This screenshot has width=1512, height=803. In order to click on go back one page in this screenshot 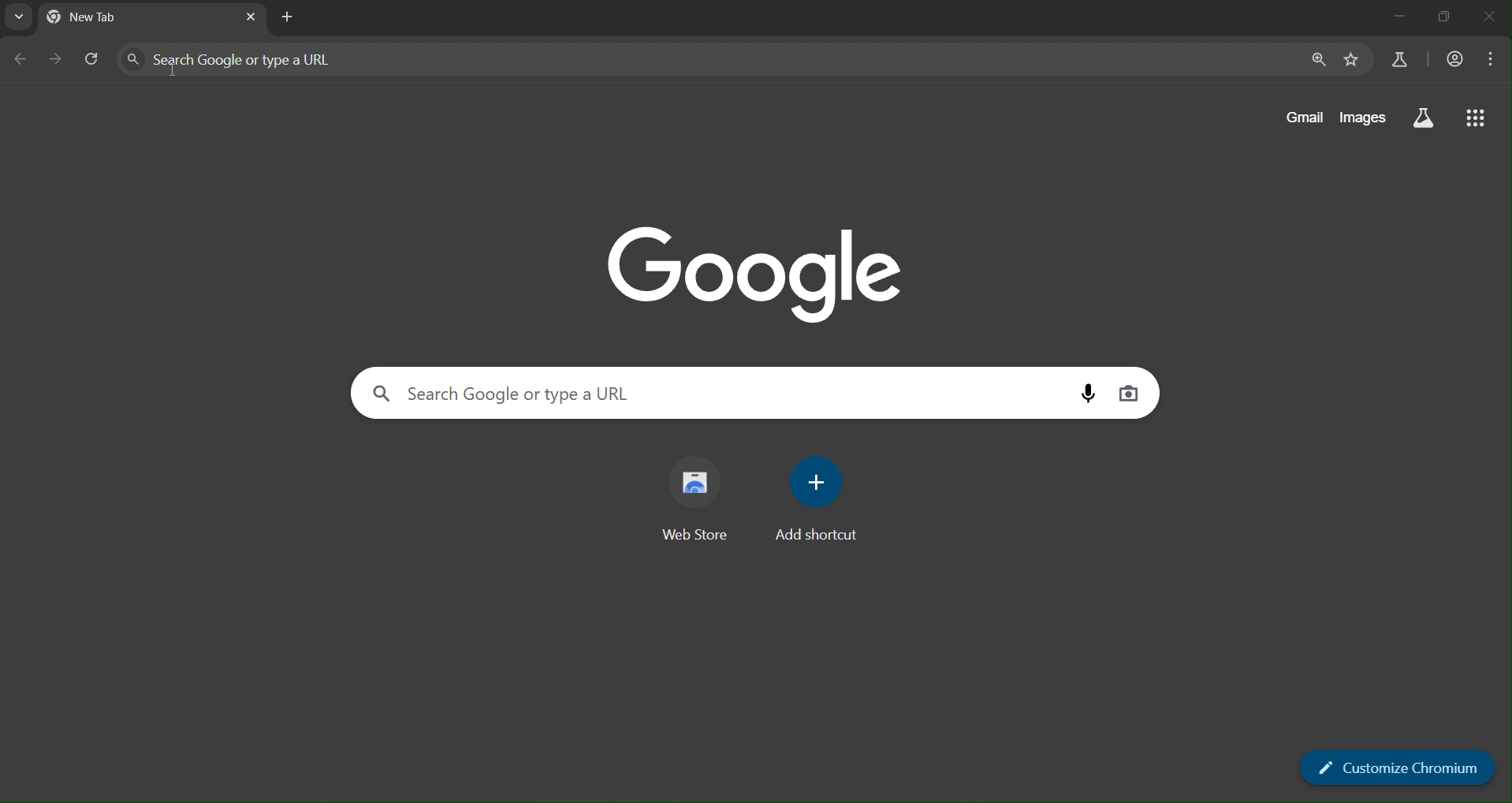, I will do `click(22, 62)`.